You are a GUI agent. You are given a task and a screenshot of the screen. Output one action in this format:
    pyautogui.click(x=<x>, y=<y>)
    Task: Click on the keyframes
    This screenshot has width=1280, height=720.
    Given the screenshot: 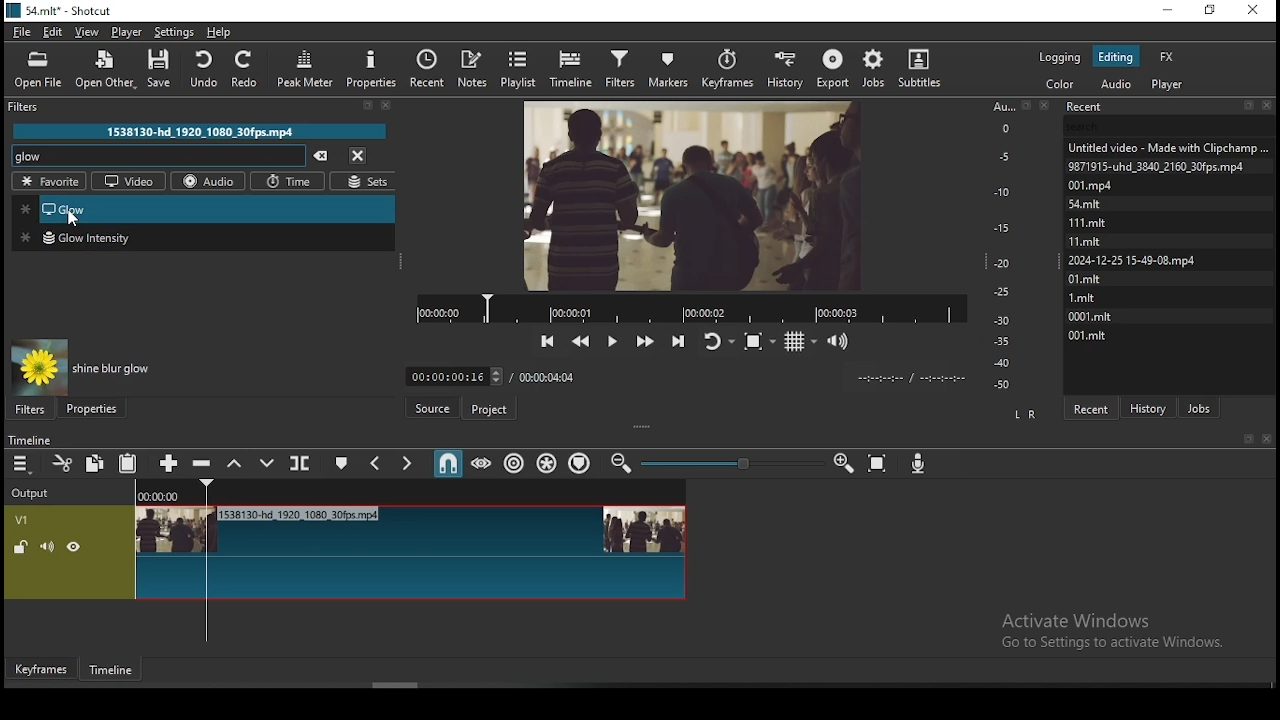 What is the action you would take?
    pyautogui.click(x=730, y=69)
    